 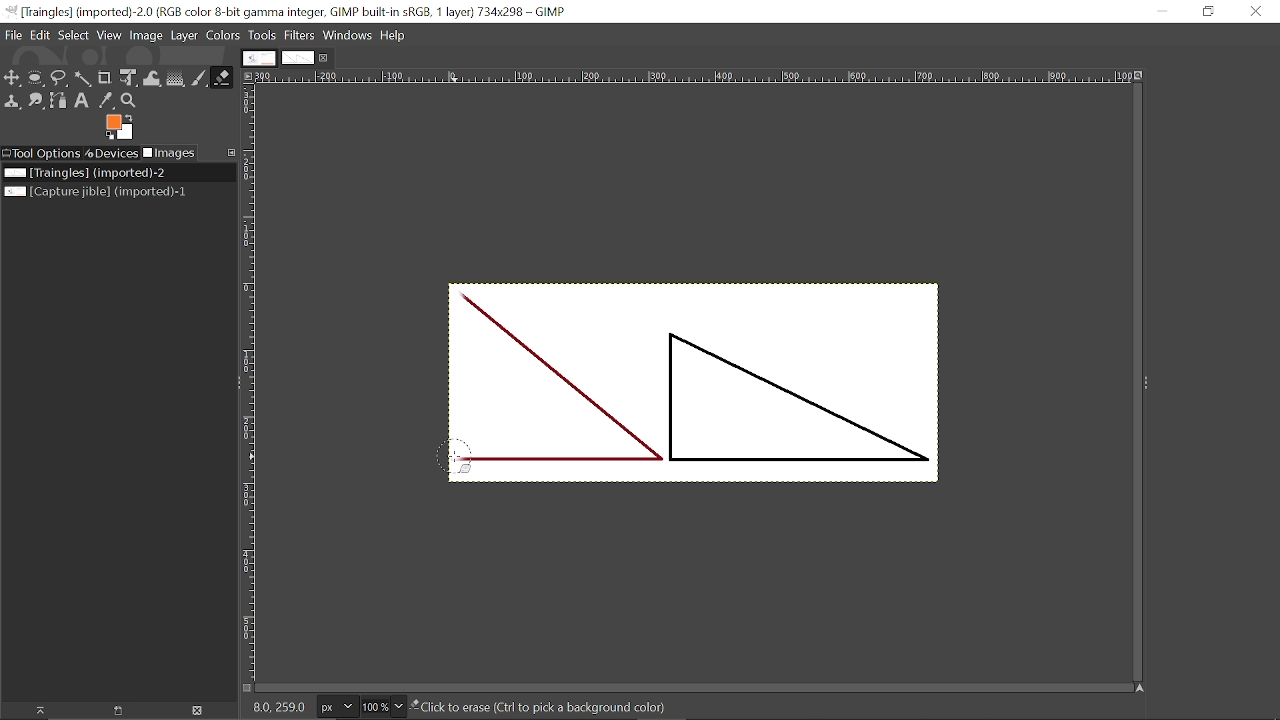 I want to click on Select, so click(x=72, y=35).